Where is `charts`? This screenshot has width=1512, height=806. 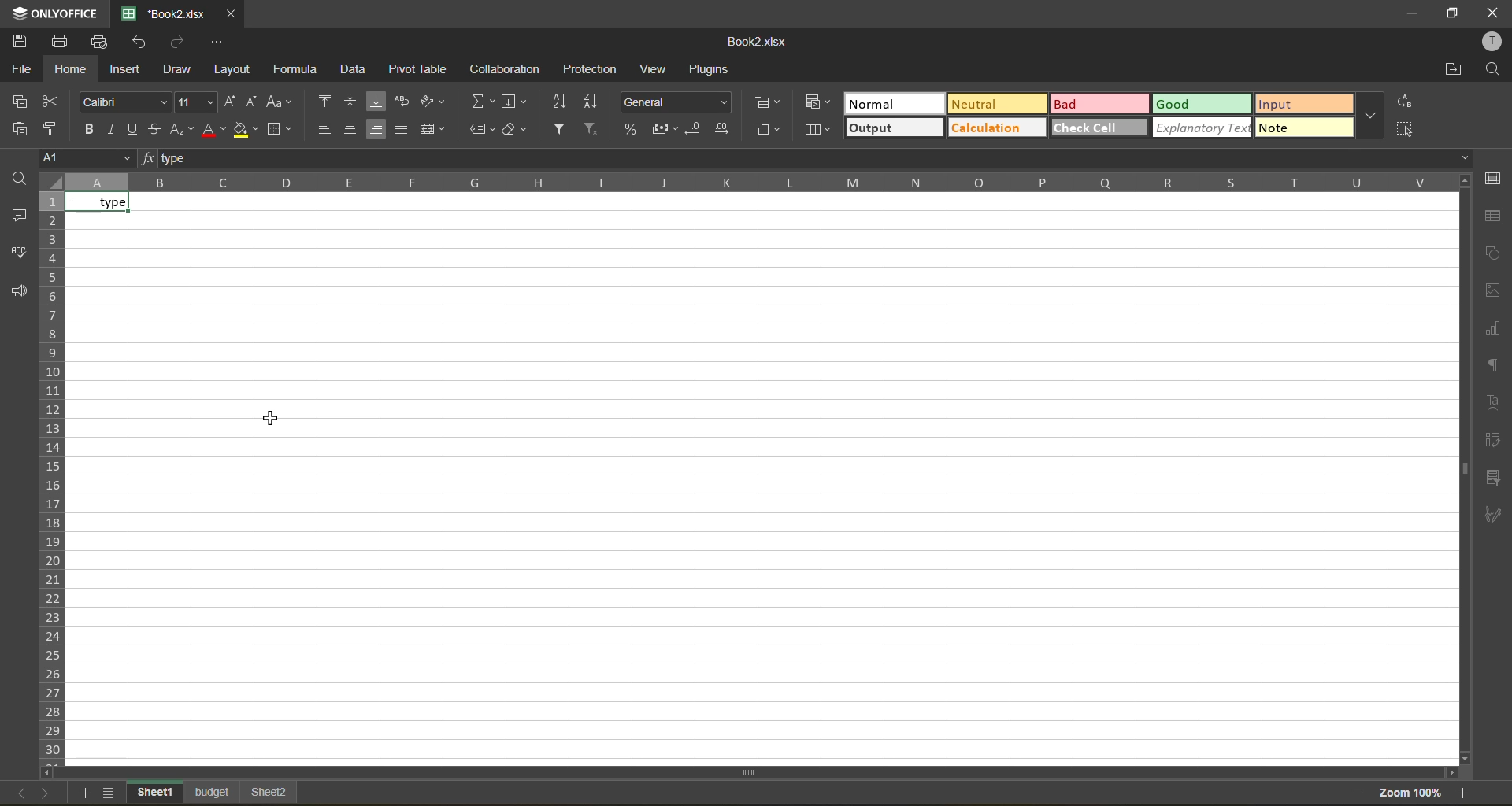
charts is located at coordinates (1494, 329).